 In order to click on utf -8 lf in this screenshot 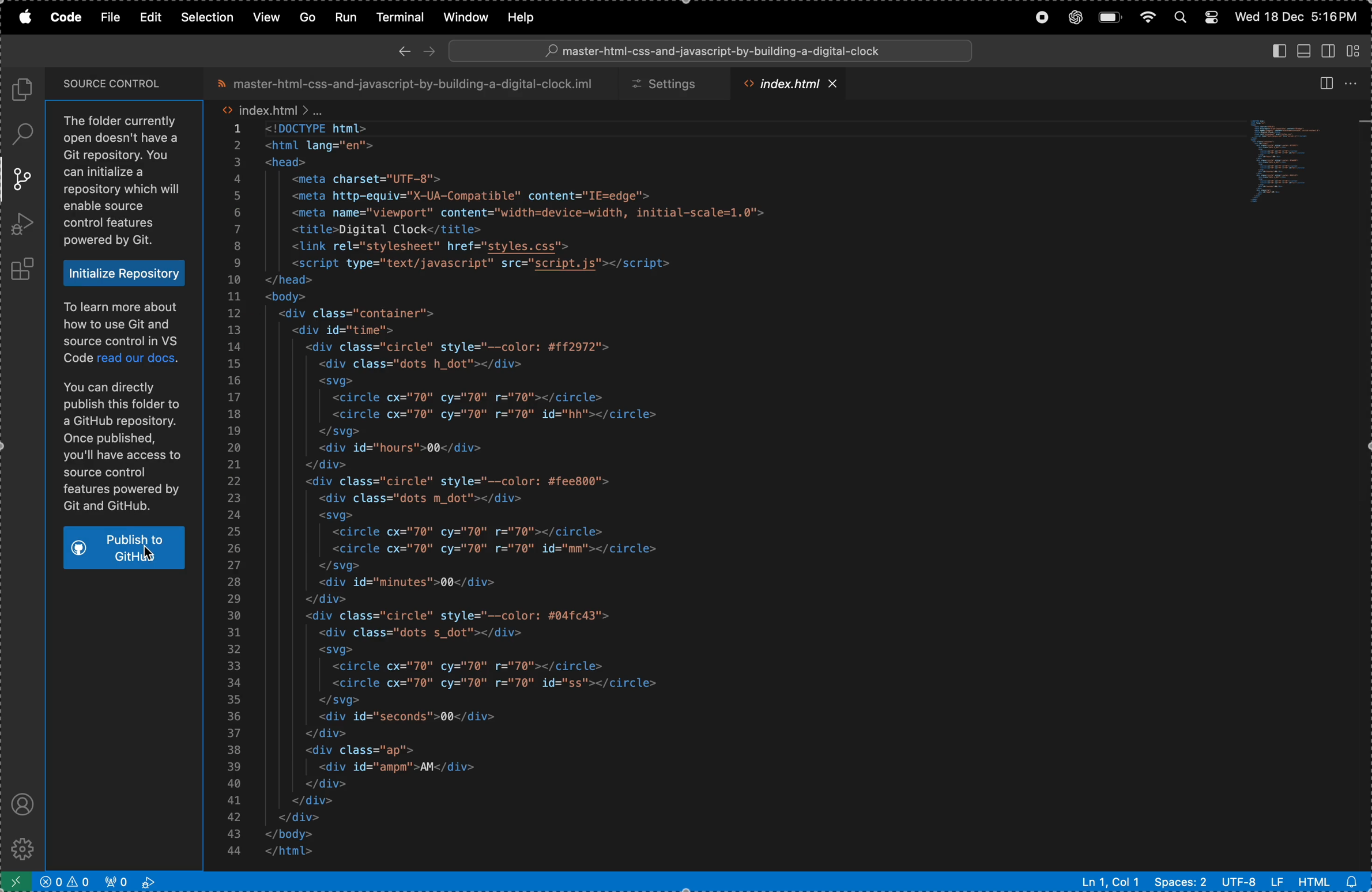, I will do `click(1252, 882)`.